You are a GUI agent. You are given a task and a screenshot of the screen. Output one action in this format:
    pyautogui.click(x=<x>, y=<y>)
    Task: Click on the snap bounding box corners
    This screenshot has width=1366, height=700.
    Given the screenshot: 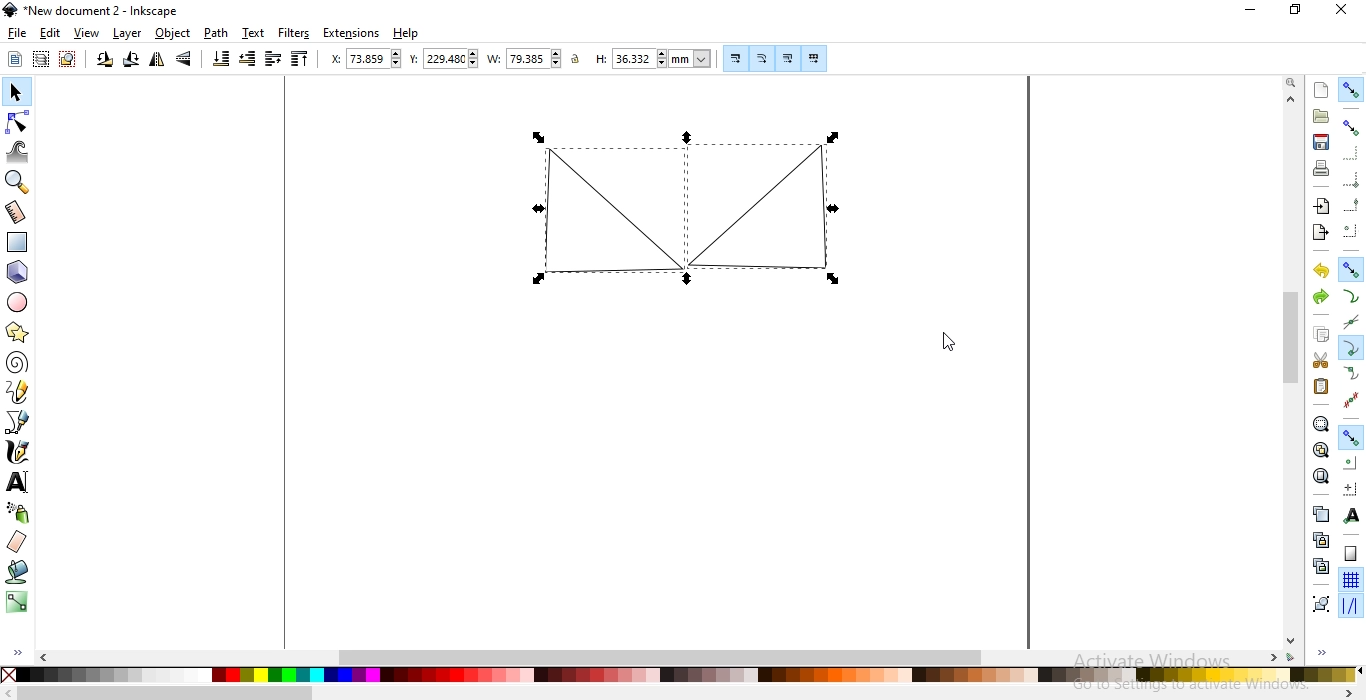 What is the action you would take?
    pyautogui.click(x=1352, y=177)
    